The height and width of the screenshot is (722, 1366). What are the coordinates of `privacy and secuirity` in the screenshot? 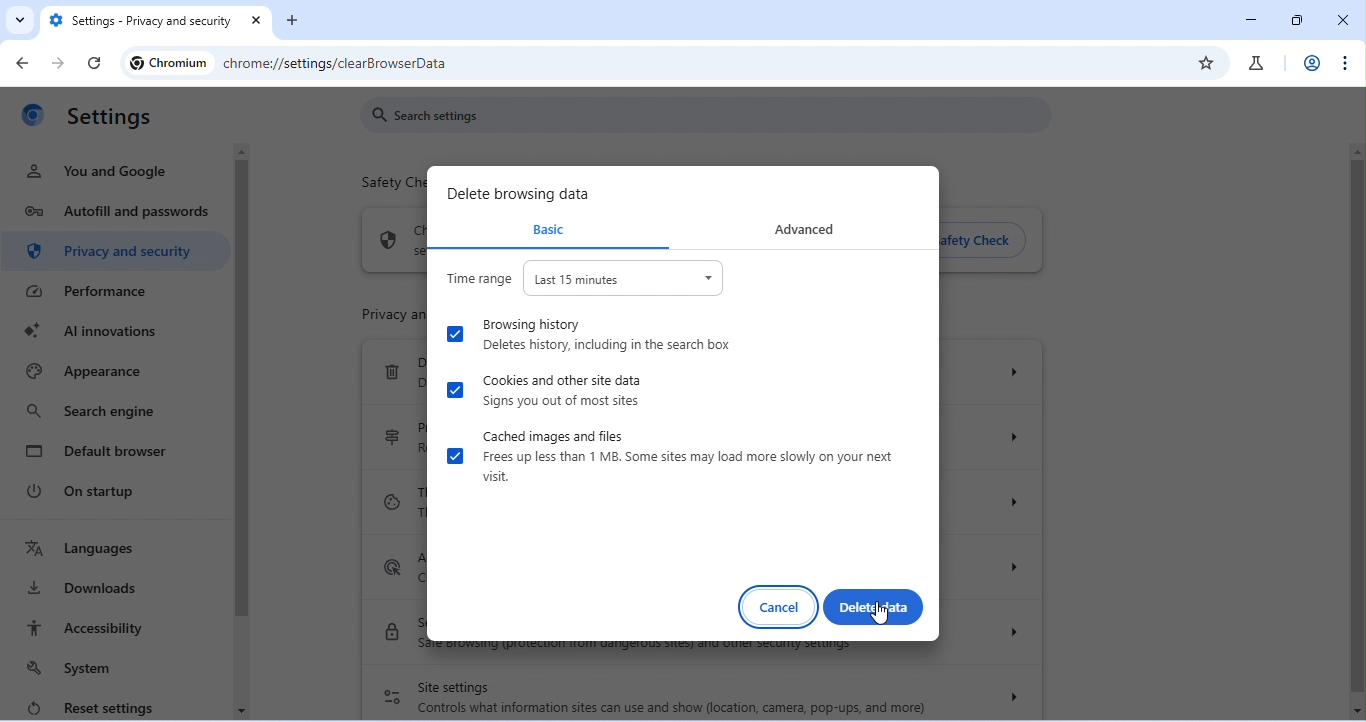 It's located at (116, 253).